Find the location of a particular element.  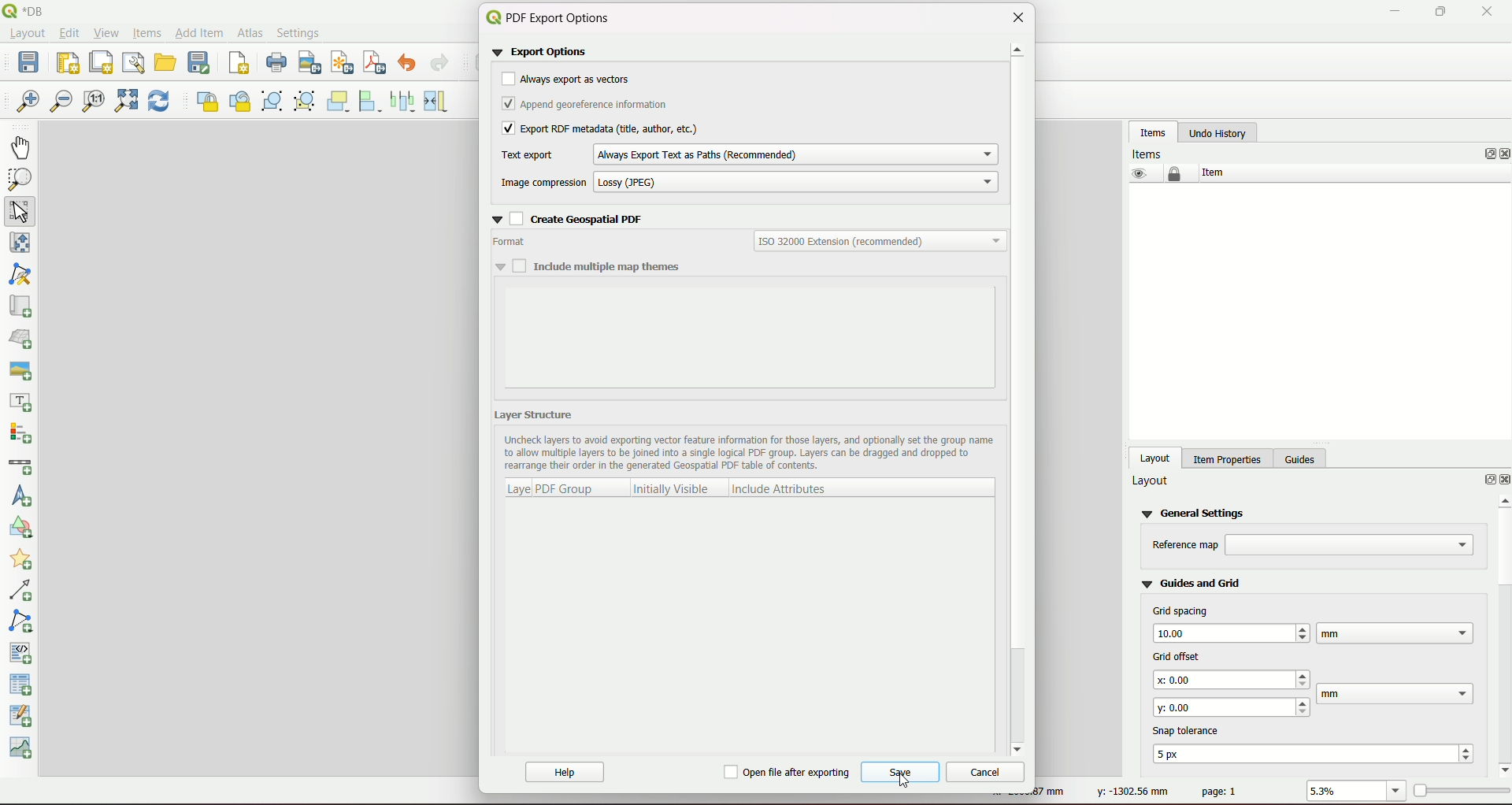

text box is located at coordinates (1351, 545).